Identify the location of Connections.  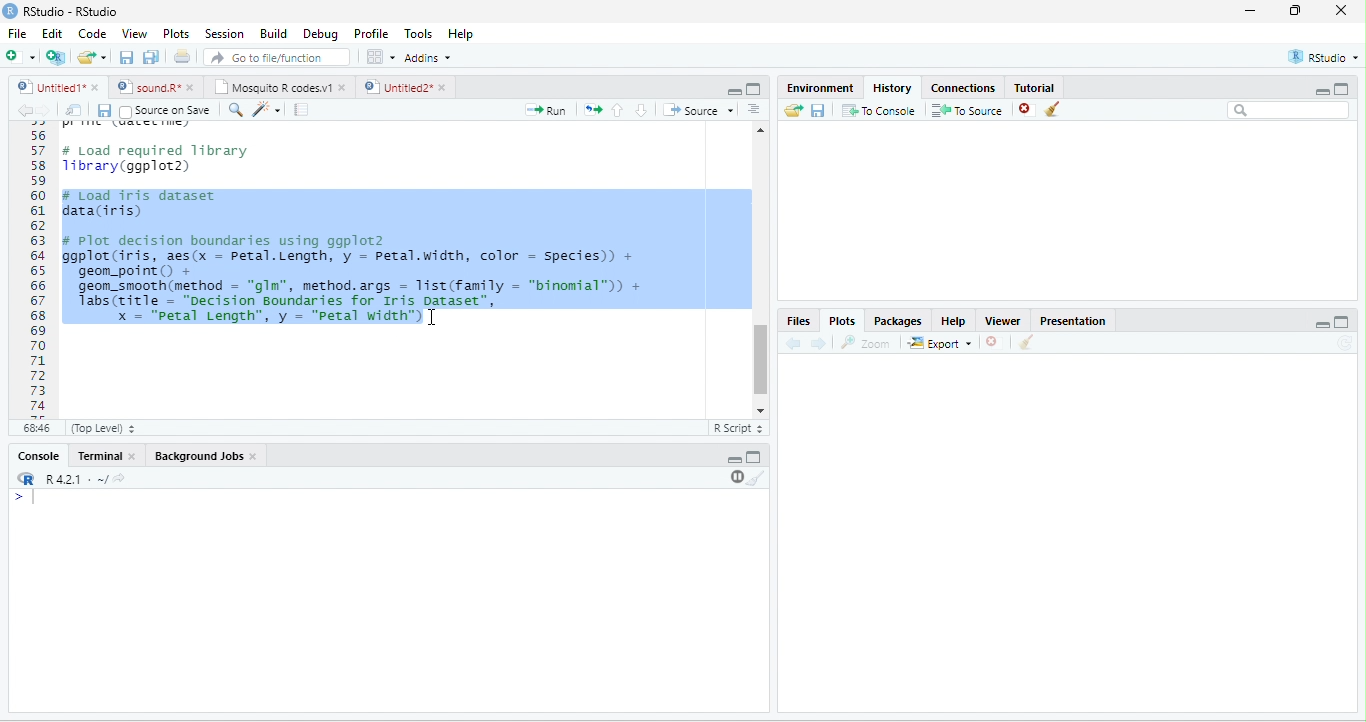
(962, 88).